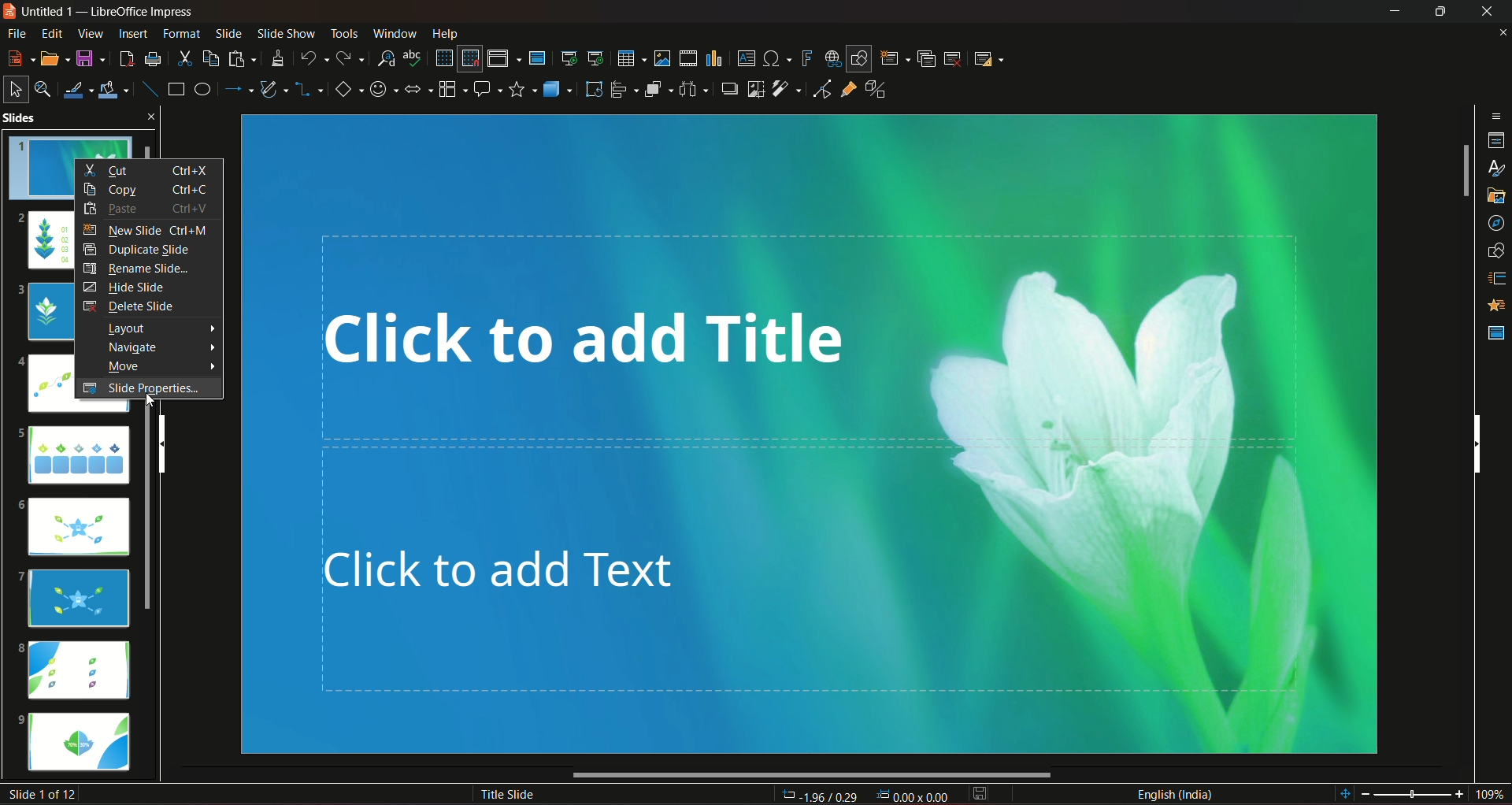  I want to click on slide 3, so click(44, 312).